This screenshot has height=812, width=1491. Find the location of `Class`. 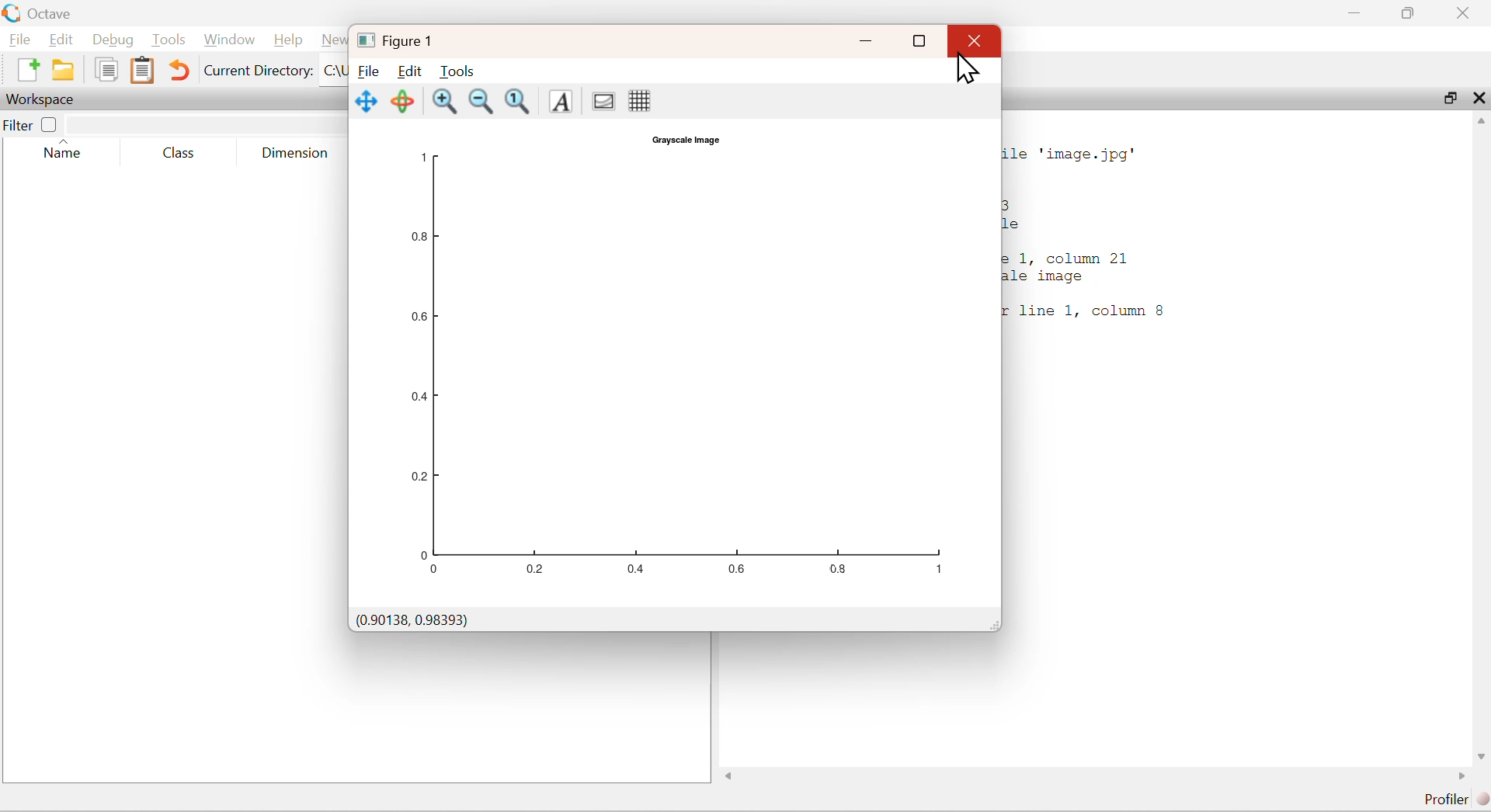

Class is located at coordinates (179, 151).